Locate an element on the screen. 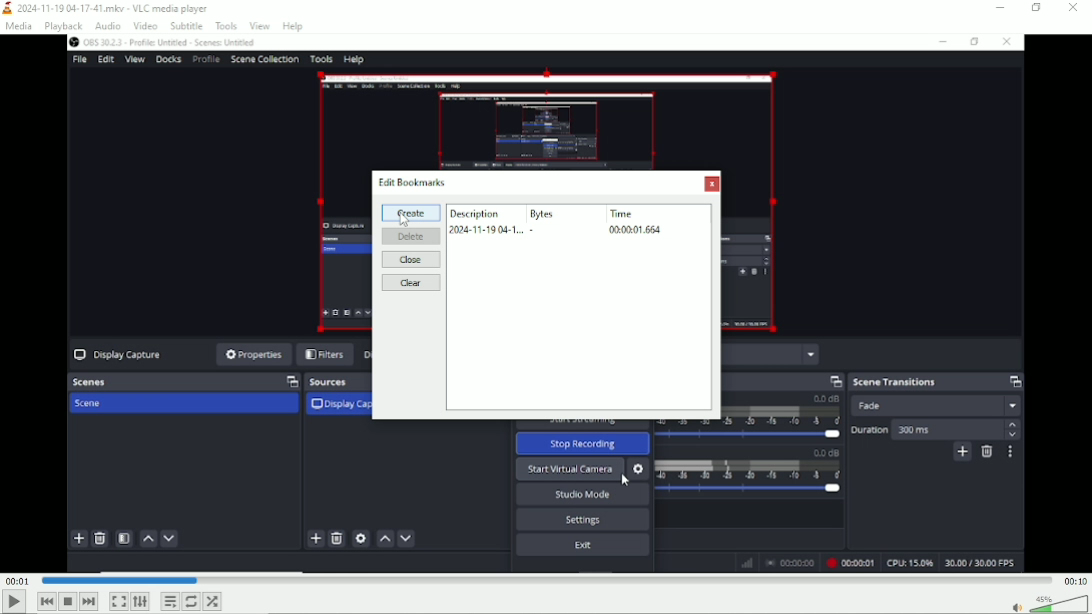 This screenshot has height=614, width=1092. Restore down is located at coordinates (1036, 8).